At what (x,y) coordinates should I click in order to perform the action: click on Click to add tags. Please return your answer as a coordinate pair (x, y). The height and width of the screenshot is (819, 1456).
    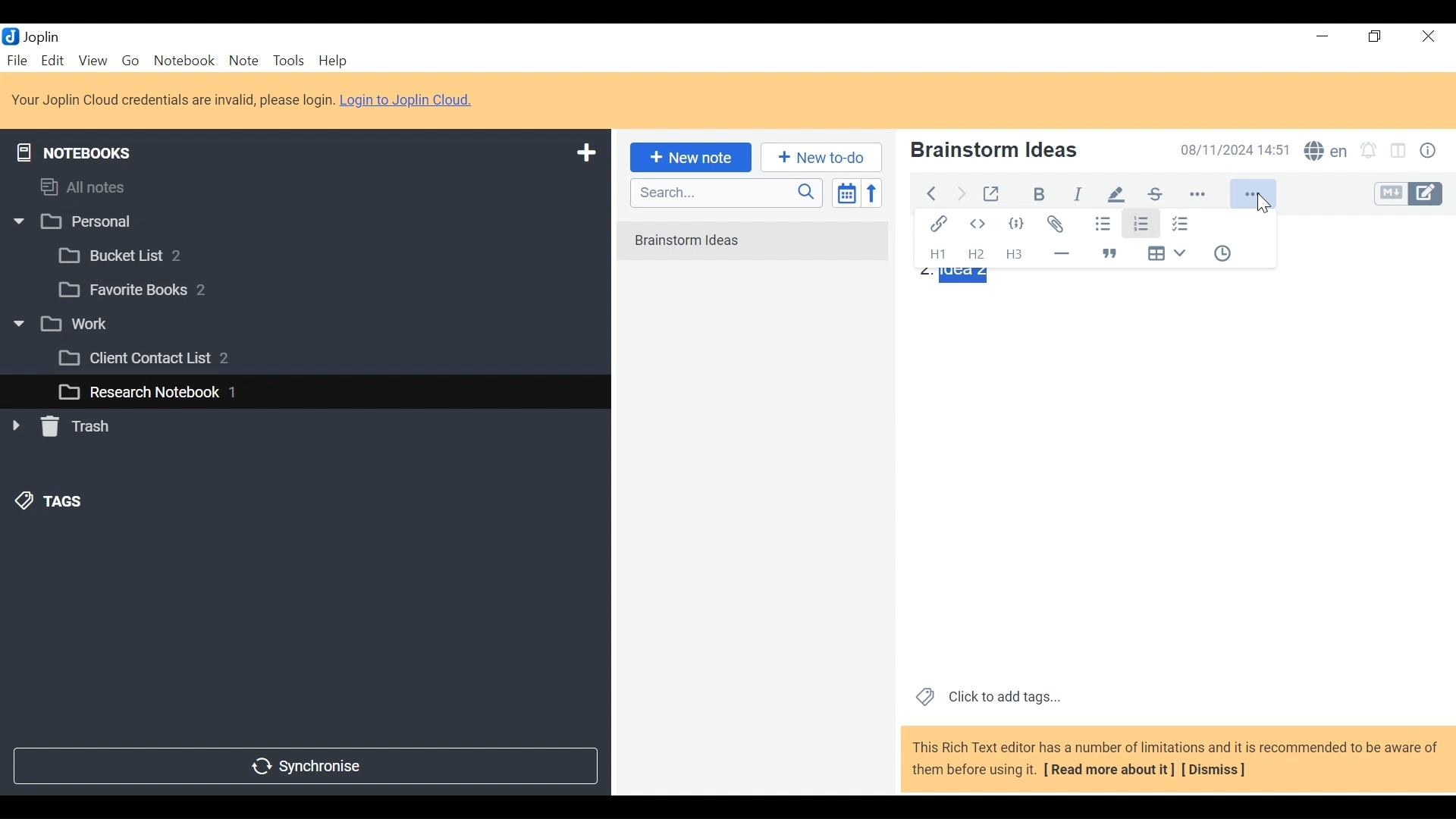
    Looking at the image, I should click on (985, 695).